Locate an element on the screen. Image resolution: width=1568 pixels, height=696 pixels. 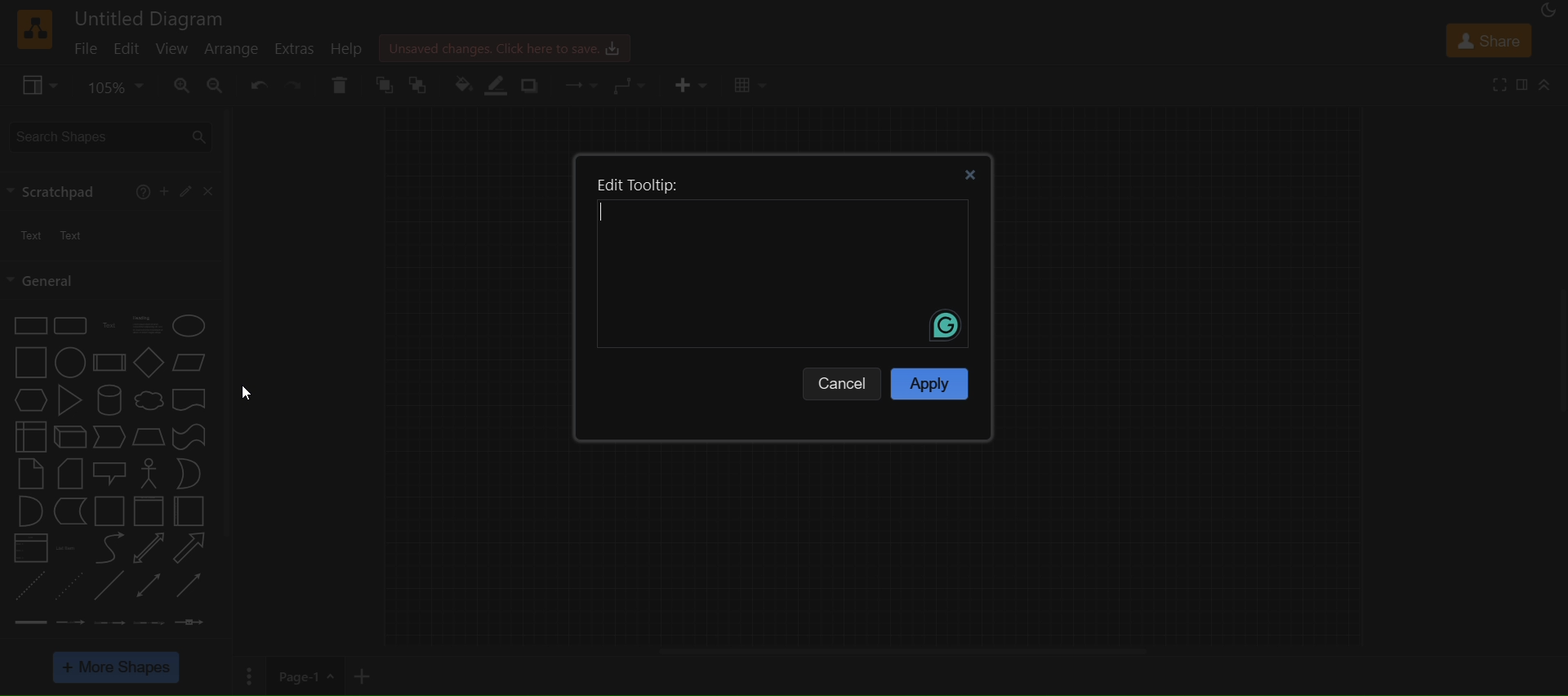
apply is located at coordinates (929, 382).